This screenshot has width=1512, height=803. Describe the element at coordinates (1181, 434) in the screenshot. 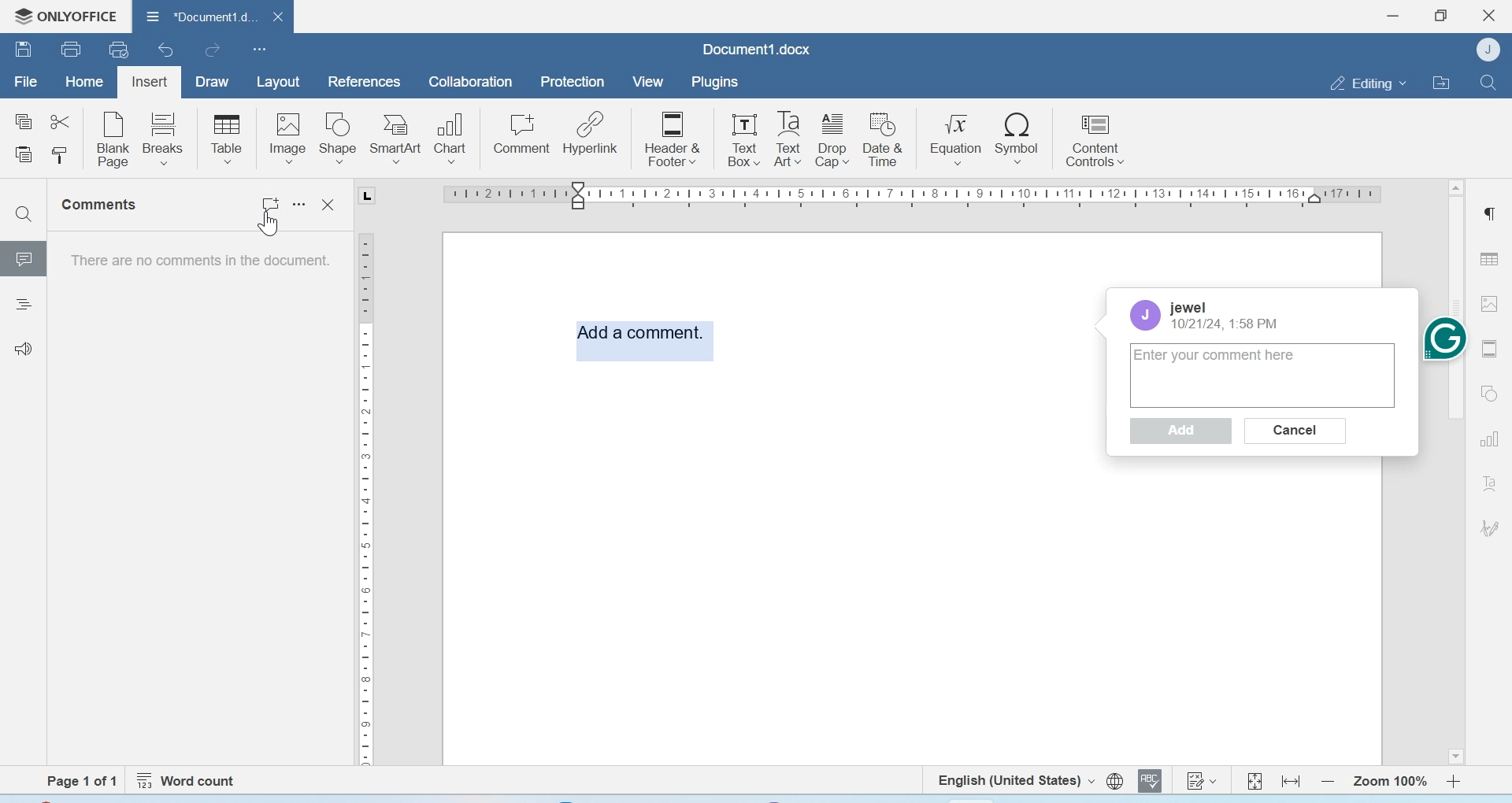

I see `Add` at that location.